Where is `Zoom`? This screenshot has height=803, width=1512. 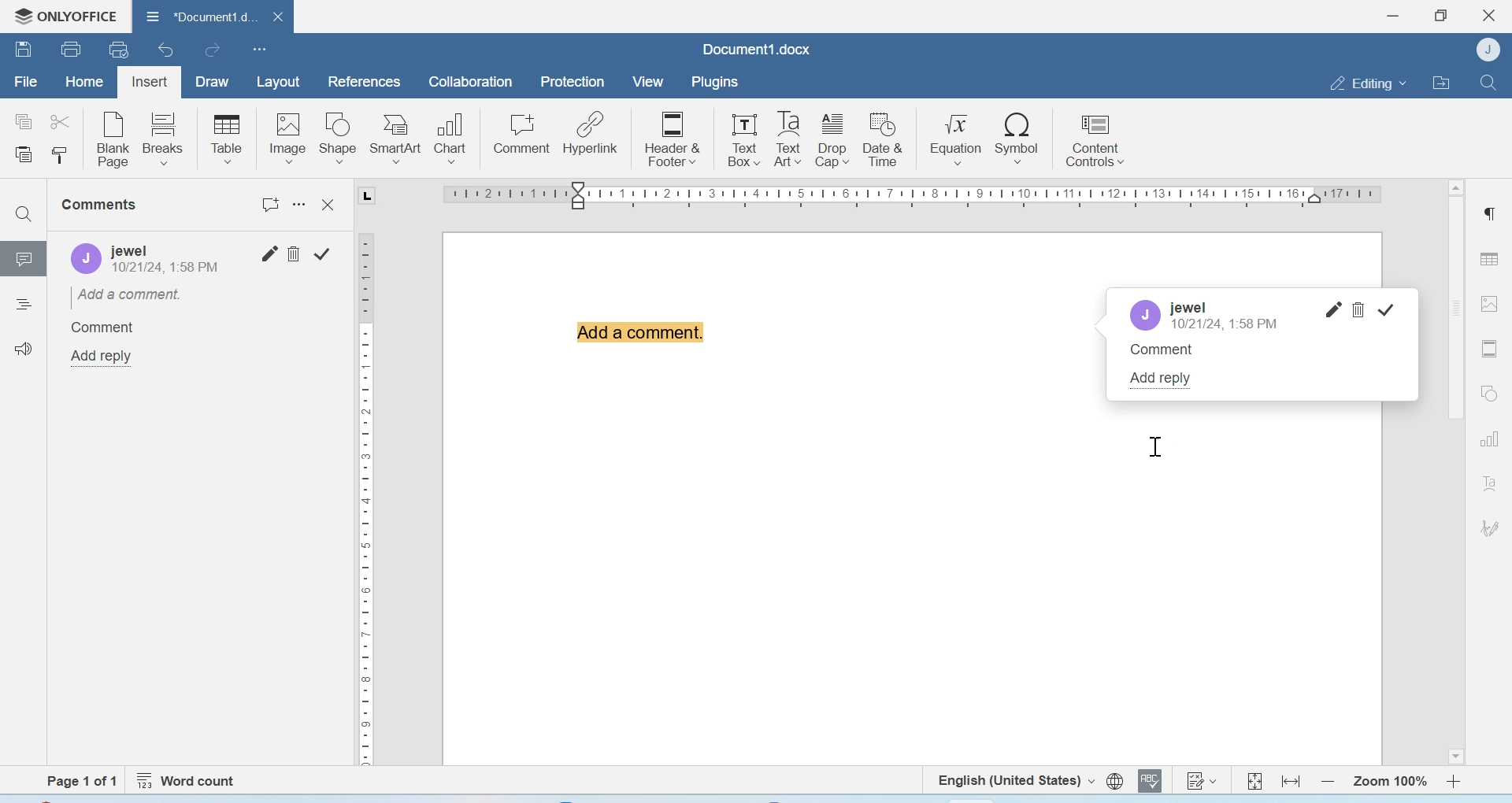
Zoom is located at coordinates (1388, 782).